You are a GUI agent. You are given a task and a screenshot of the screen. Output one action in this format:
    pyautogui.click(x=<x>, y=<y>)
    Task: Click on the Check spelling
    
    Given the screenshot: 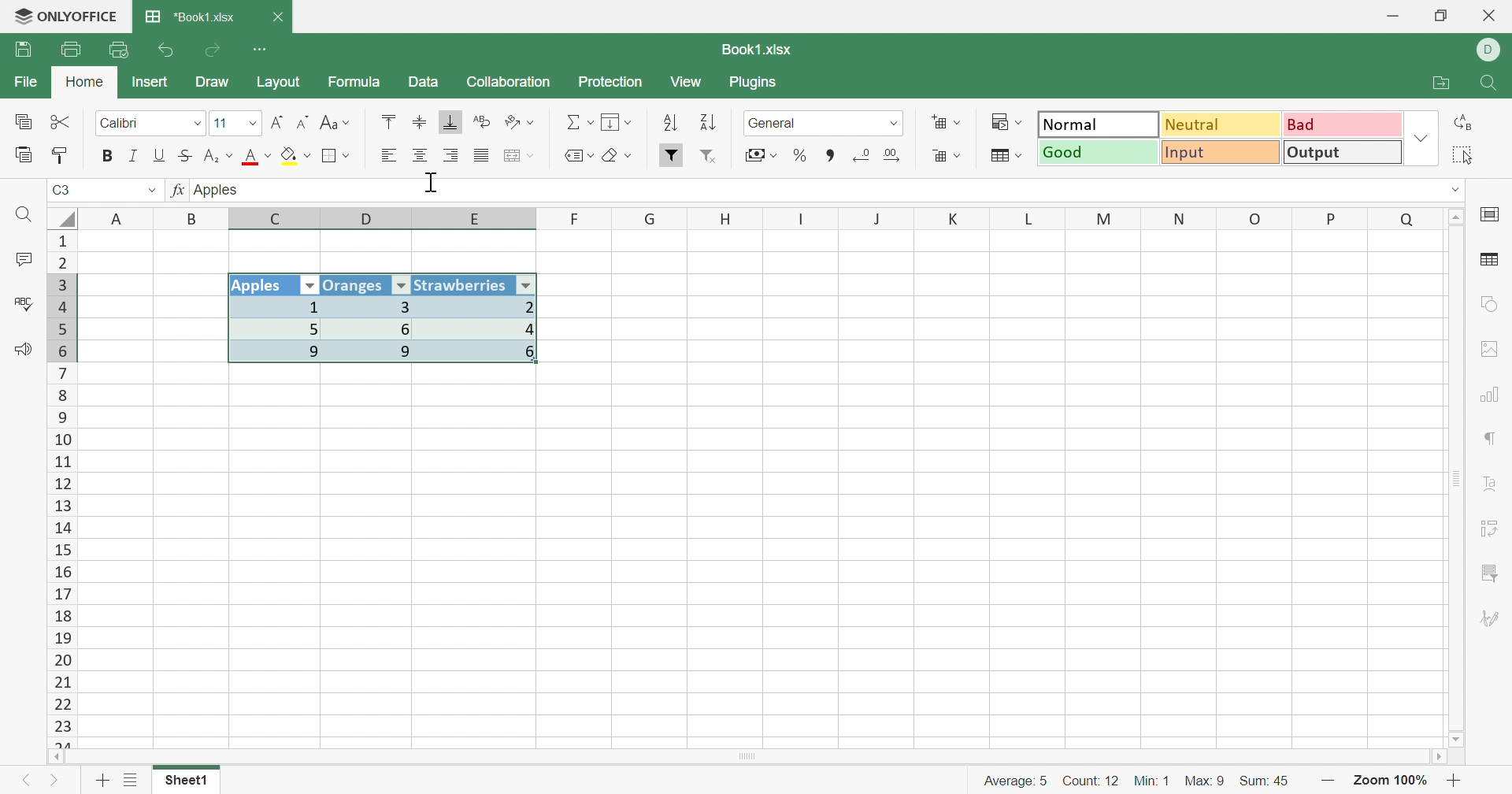 What is the action you would take?
    pyautogui.click(x=21, y=304)
    